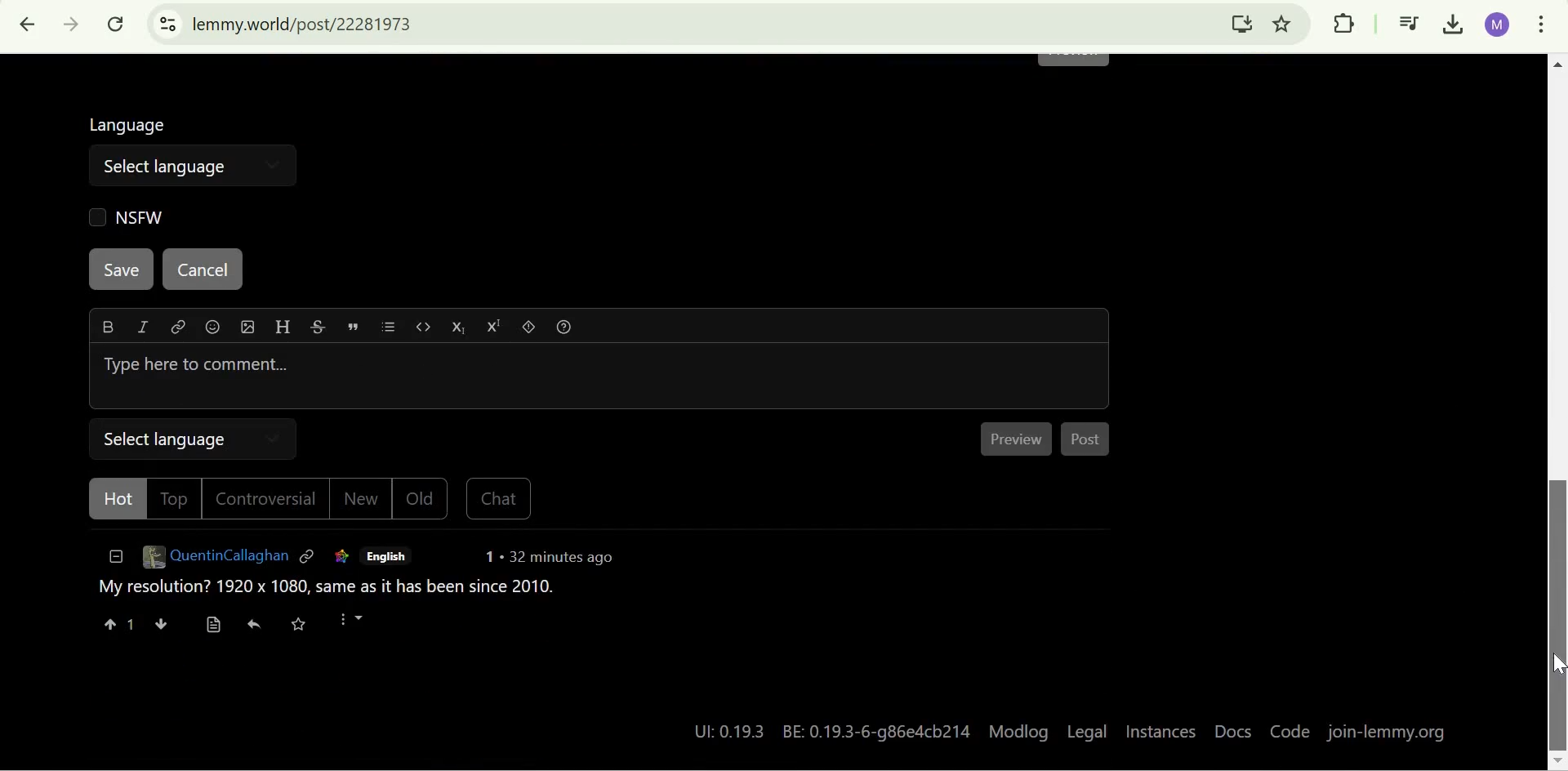  I want to click on Language, so click(131, 122).